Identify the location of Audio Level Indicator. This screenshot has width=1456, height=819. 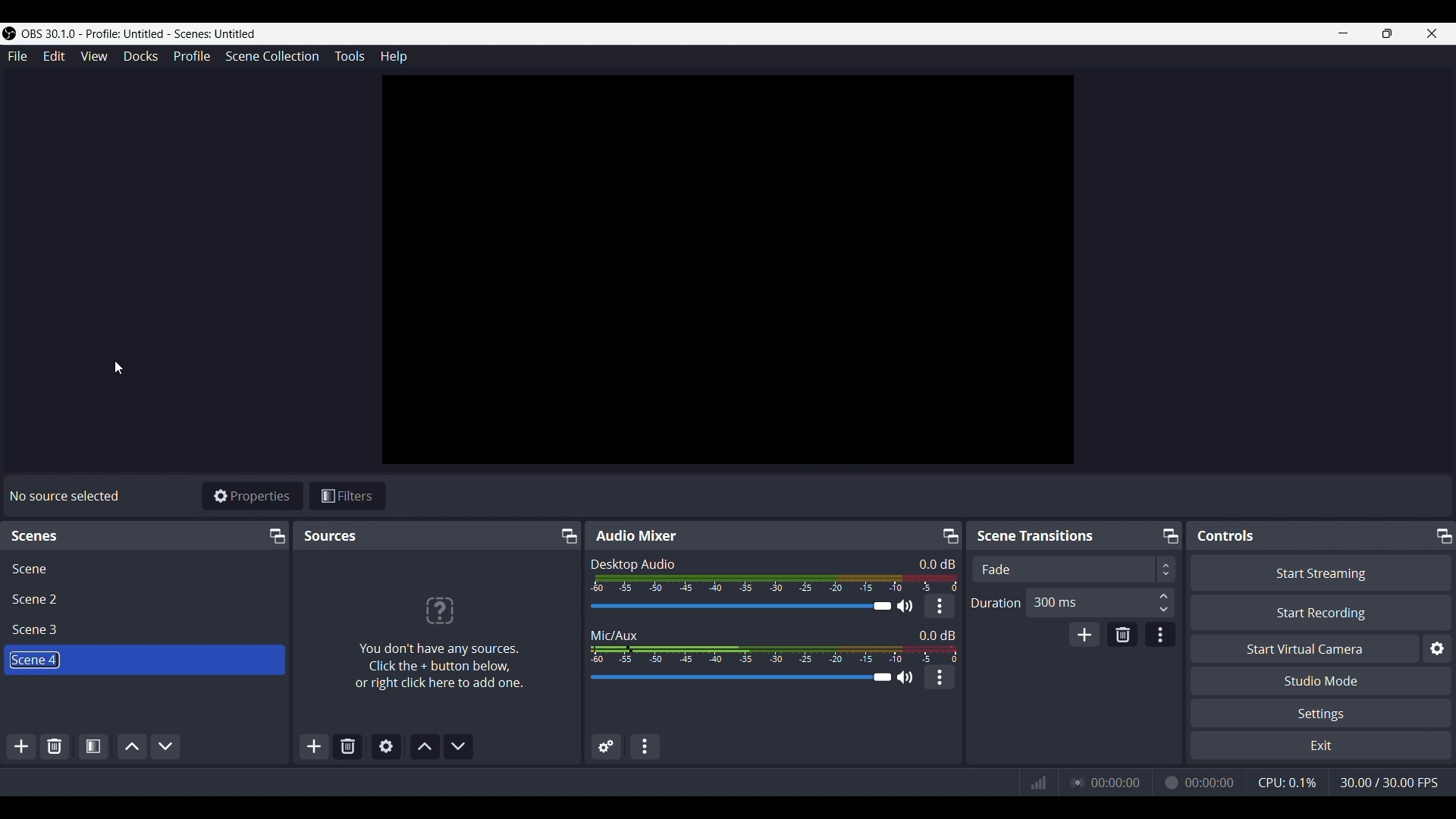
(932, 563).